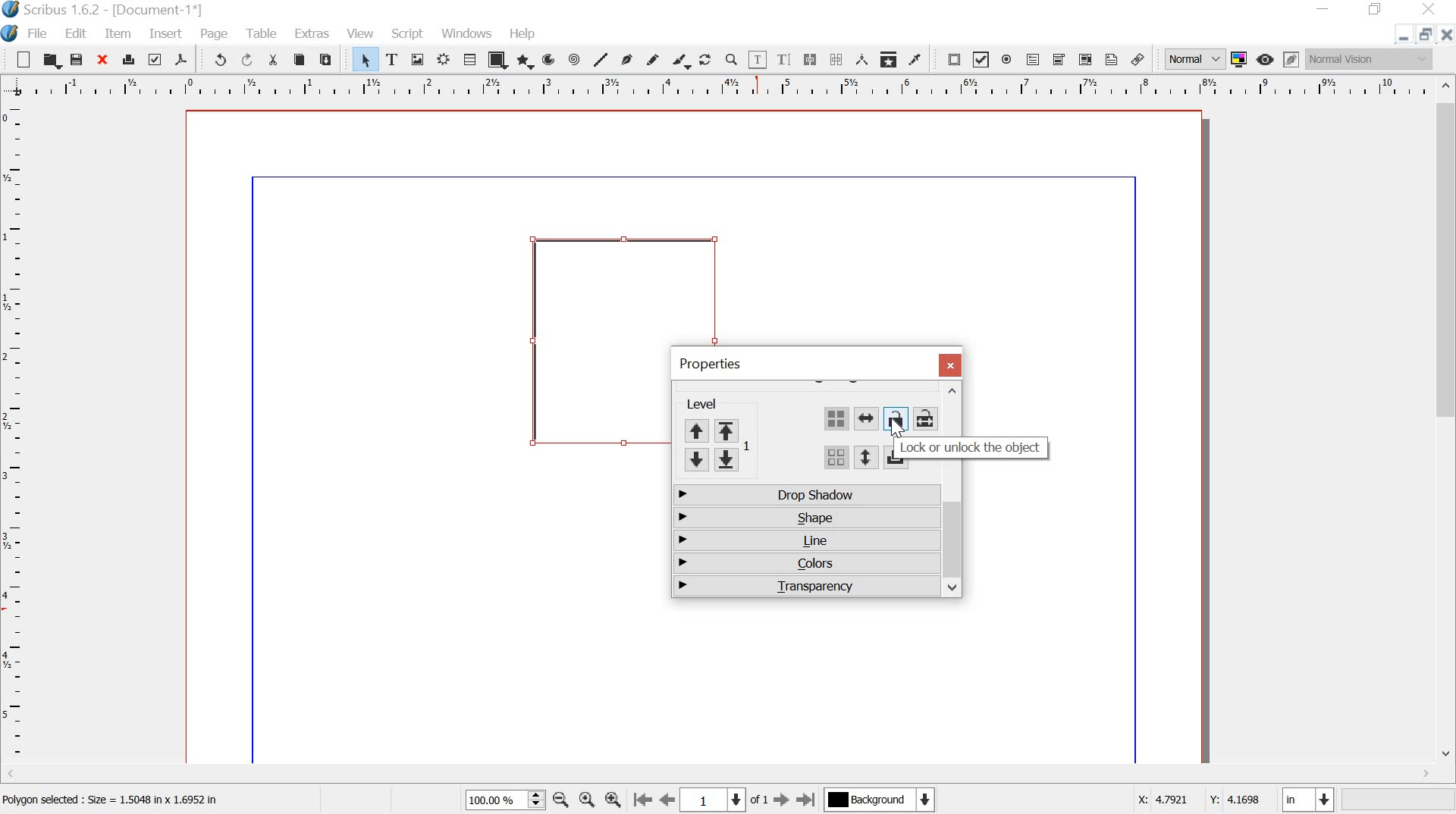 This screenshot has width=1456, height=814. I want to click on pdf radio button, so click(1009, 61).